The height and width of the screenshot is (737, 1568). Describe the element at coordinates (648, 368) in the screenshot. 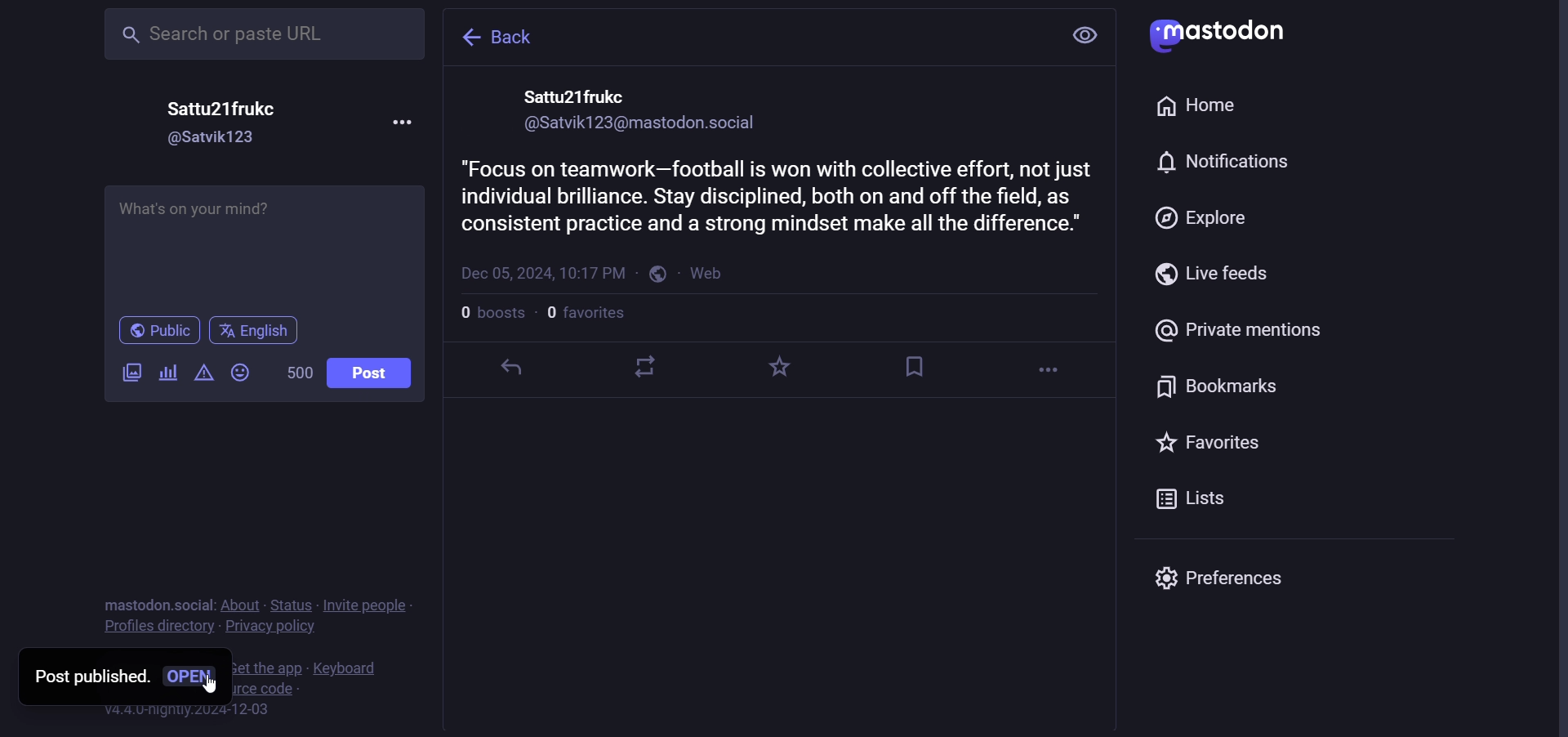

I see `boost` at that location.